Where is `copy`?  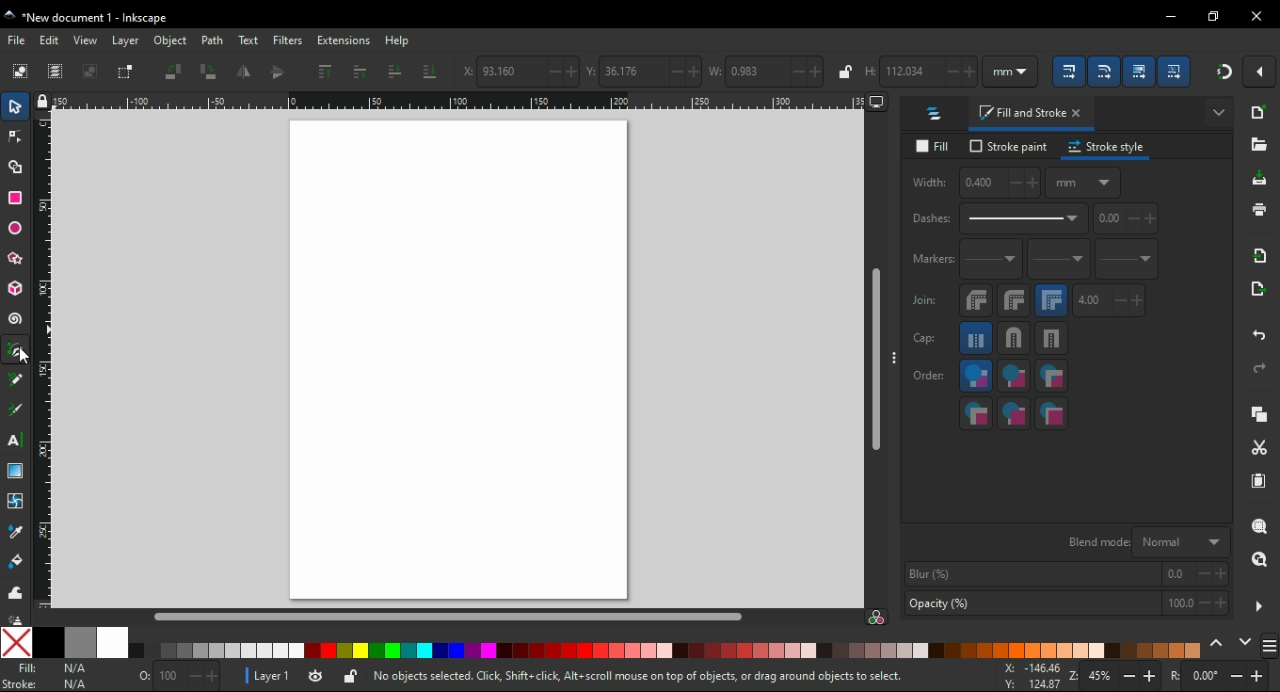 copy is located at coordinates (1259, 415).